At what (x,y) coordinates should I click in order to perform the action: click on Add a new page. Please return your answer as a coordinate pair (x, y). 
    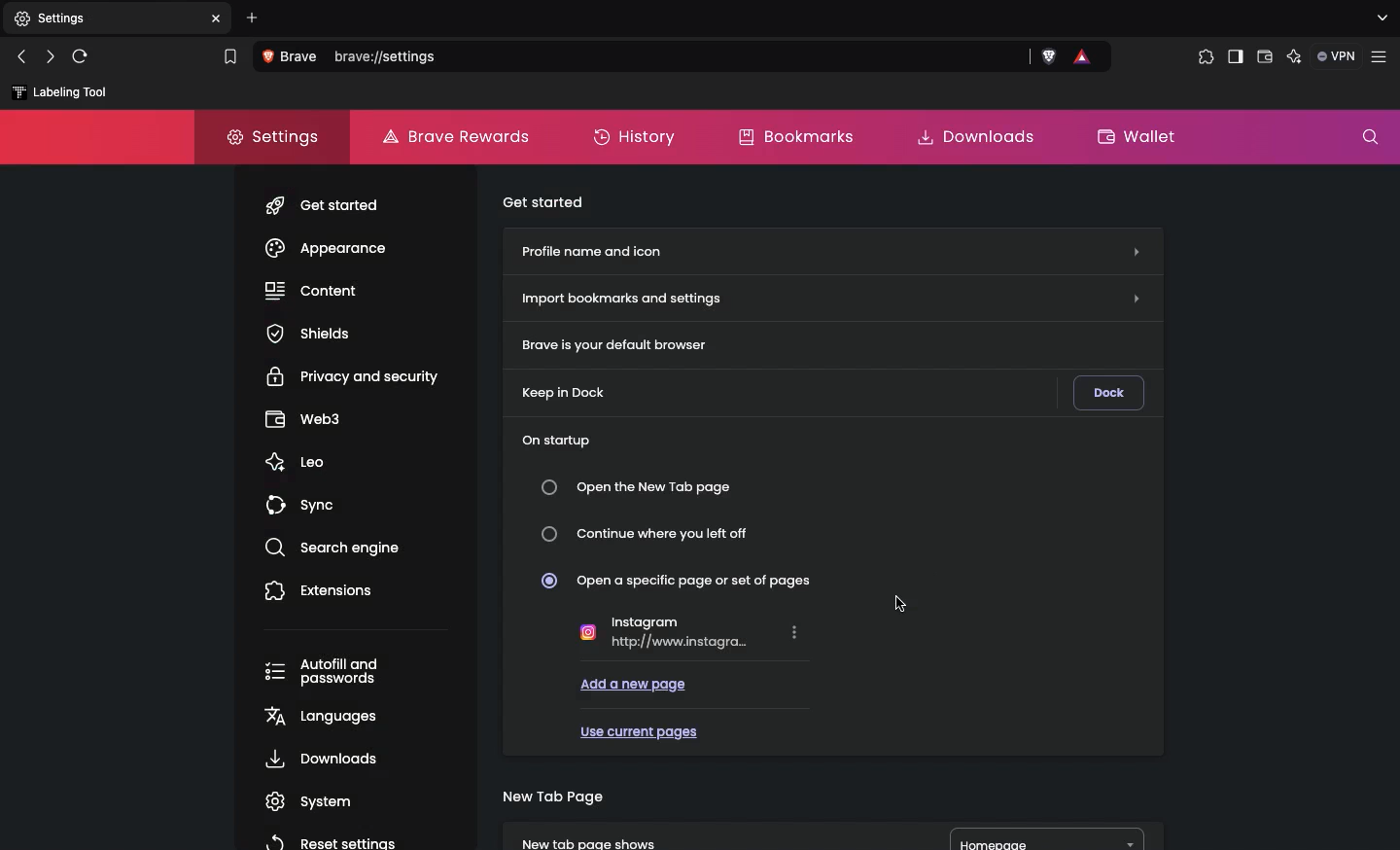
    Looking at the image, I should click on (634, 683).